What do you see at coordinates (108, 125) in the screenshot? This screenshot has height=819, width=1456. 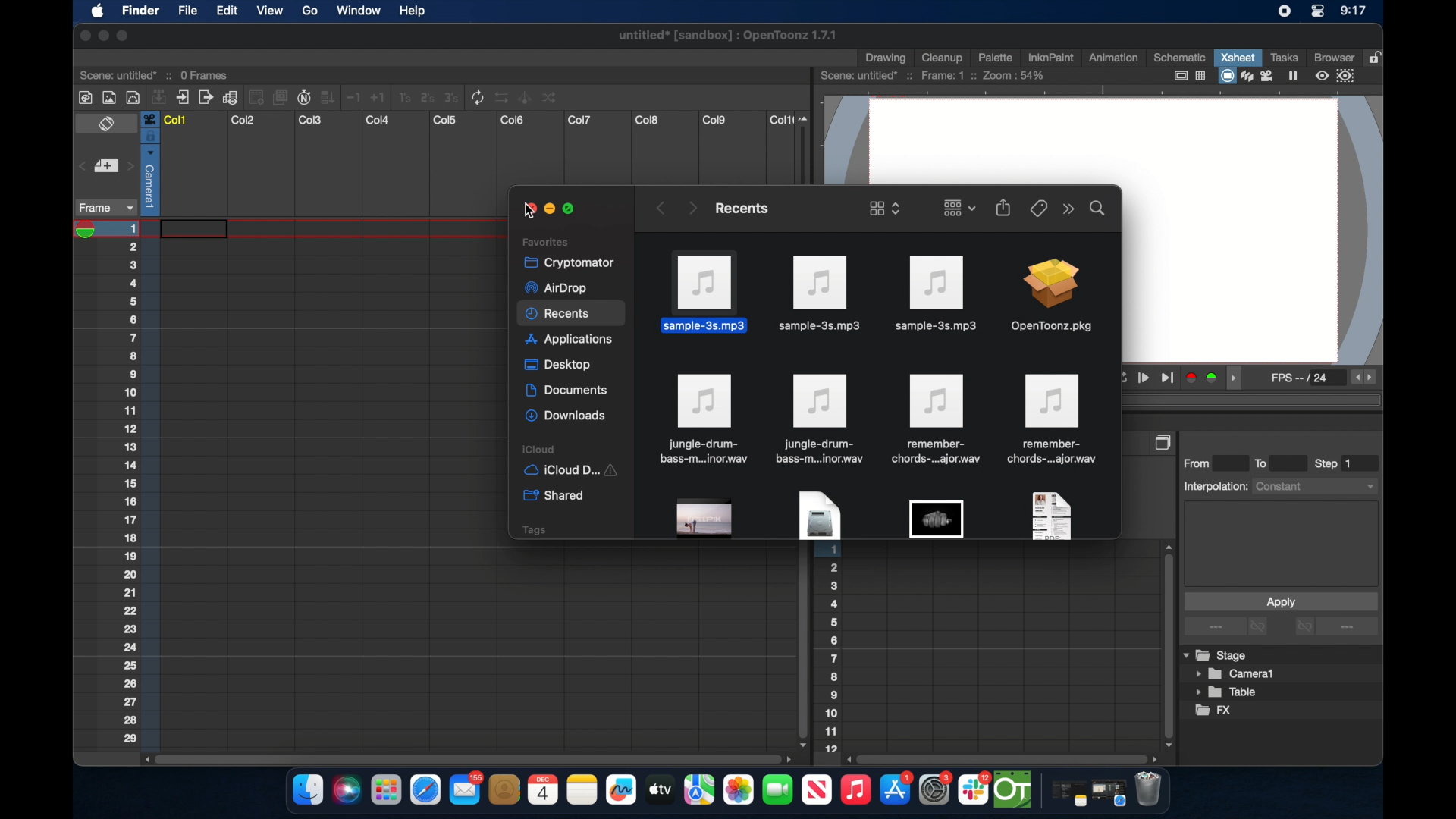 I see `toggle x sheet` at bounding box center [108, 125].